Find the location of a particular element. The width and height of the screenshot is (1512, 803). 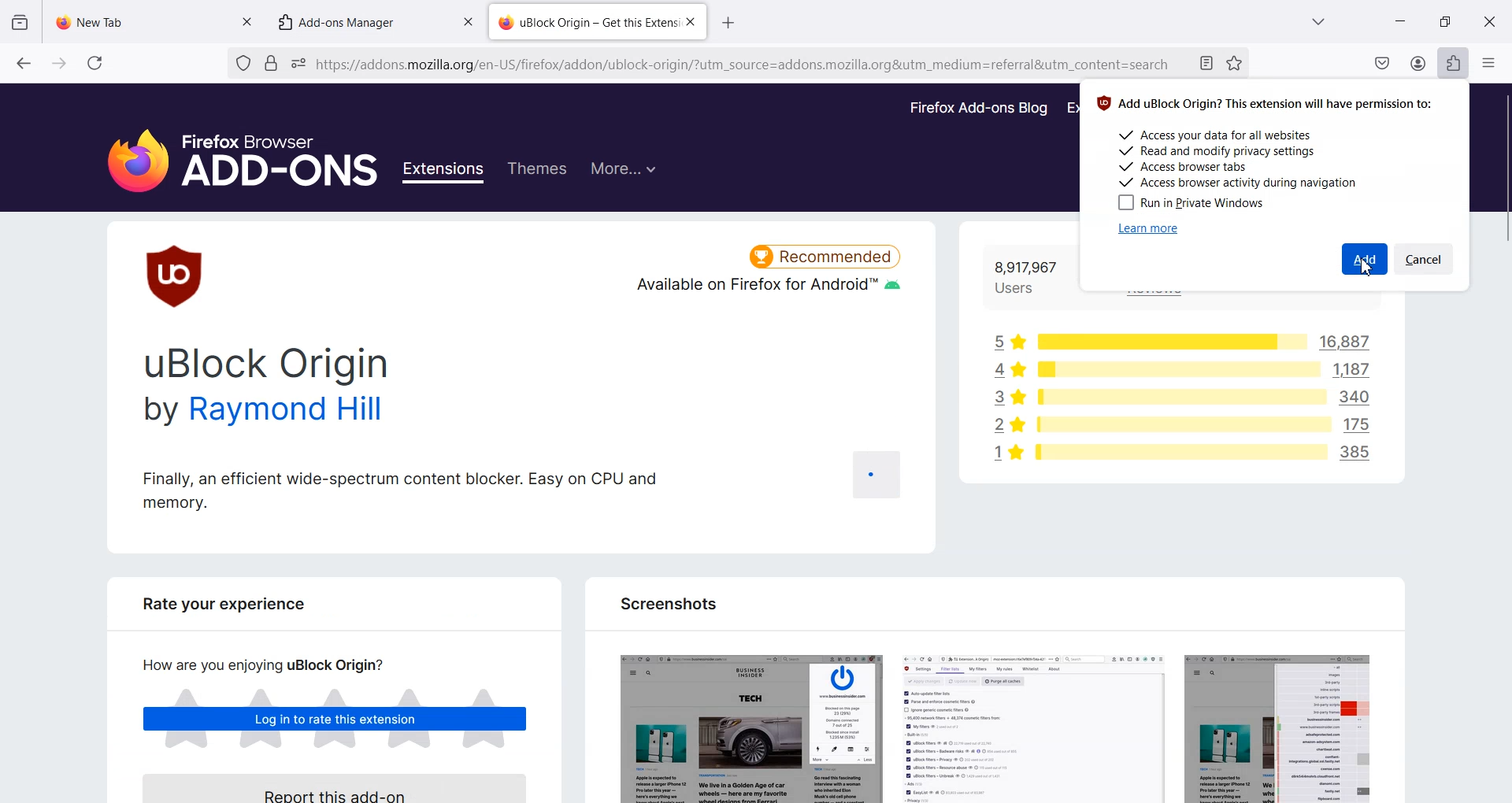

screenshots is located at coordinates (992, 722).